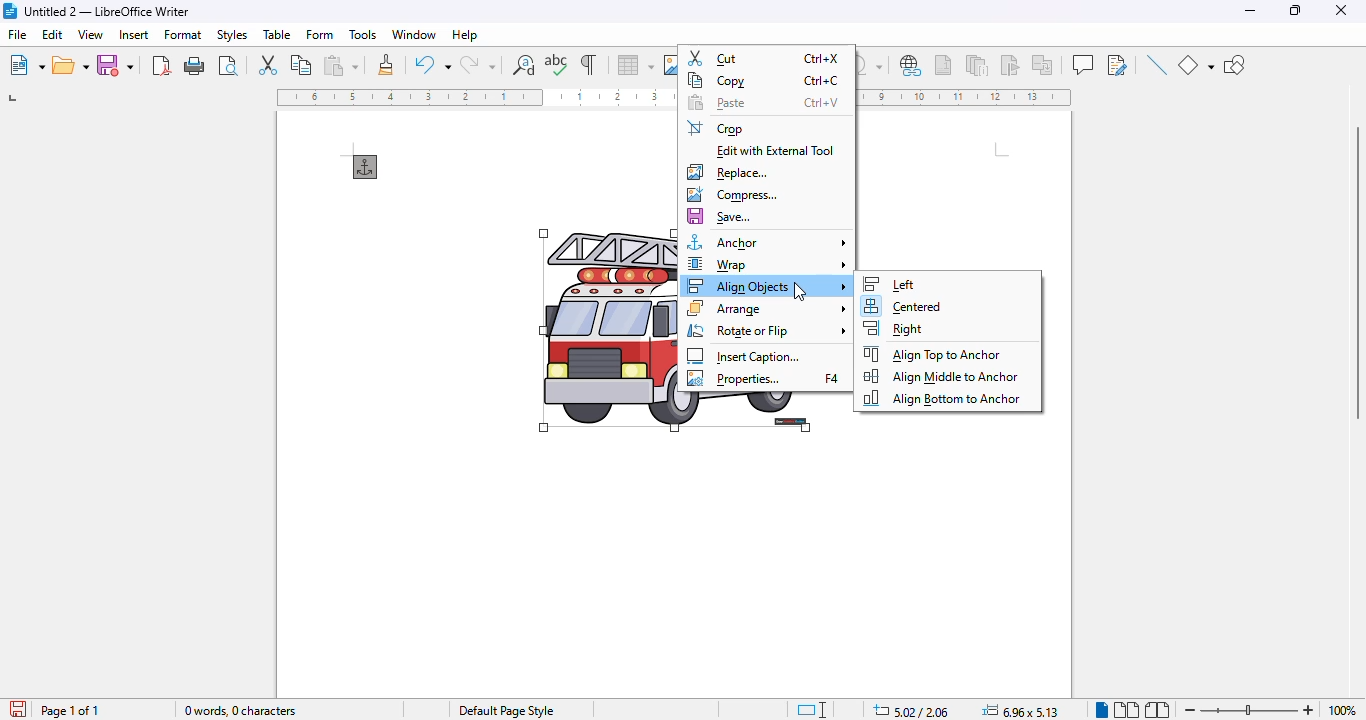 The width and height of the screenshot is (1366, 720). What do you see at coordinates (590, 64) in the screenshot?
I see `toggle formatting marks` at bounding box center [590, 64].